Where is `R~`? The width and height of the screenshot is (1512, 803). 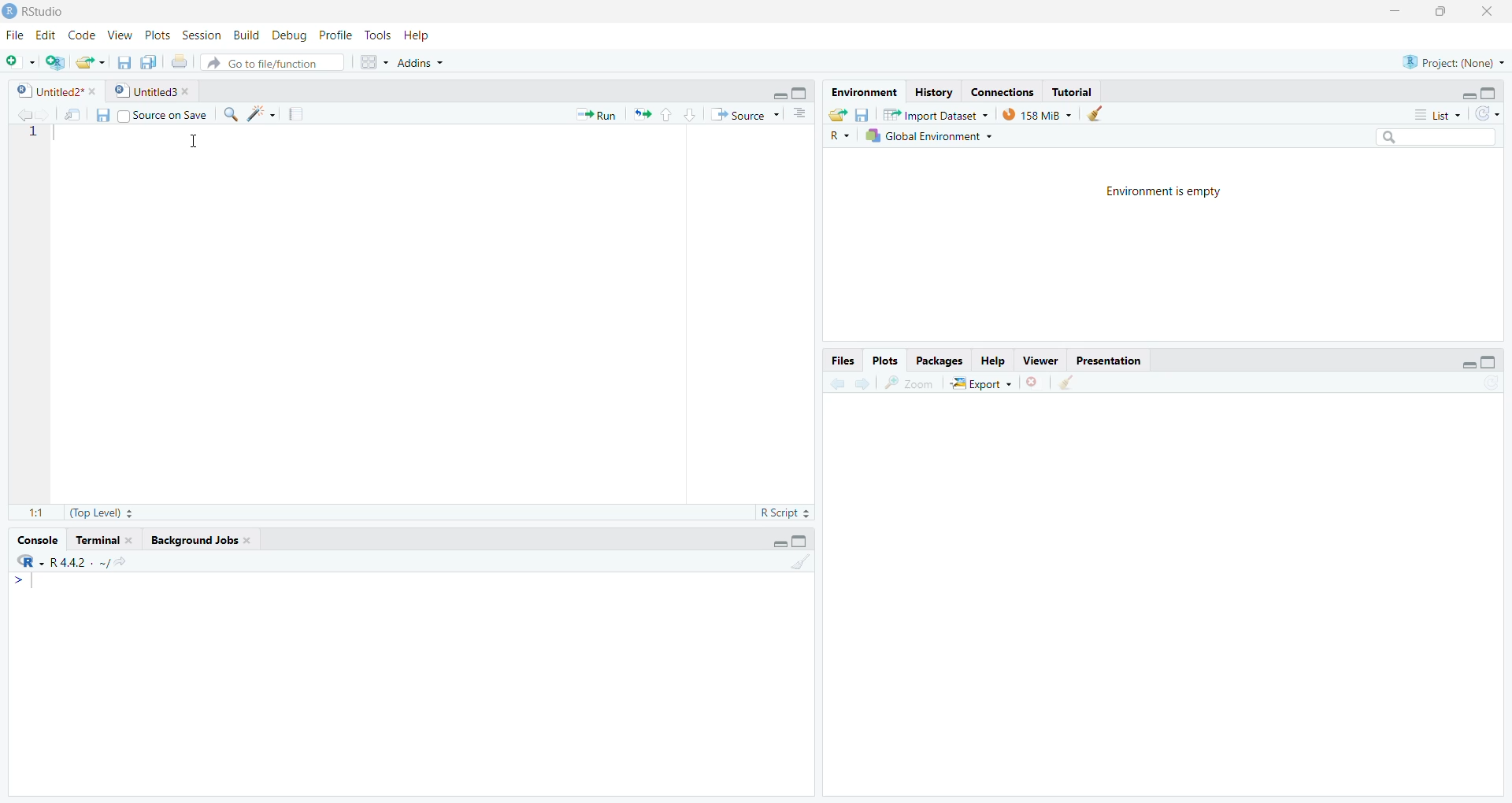
R~ is located at coordinates (840, 134).